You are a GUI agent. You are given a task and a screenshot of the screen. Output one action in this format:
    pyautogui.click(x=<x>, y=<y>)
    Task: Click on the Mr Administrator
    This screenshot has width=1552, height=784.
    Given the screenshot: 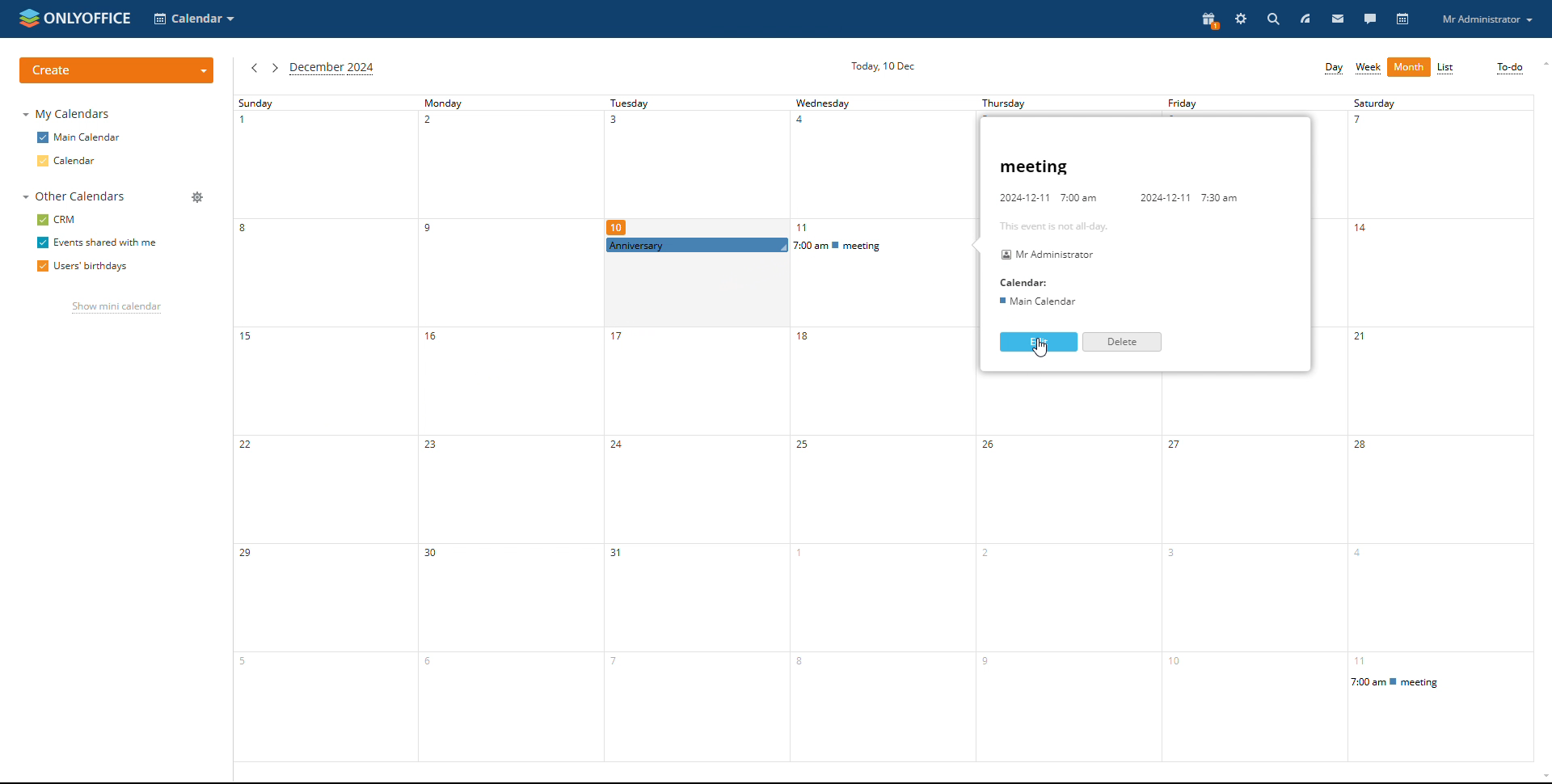 What is the action you would take?
    pyautogui.click(x=1048, y=256)
    